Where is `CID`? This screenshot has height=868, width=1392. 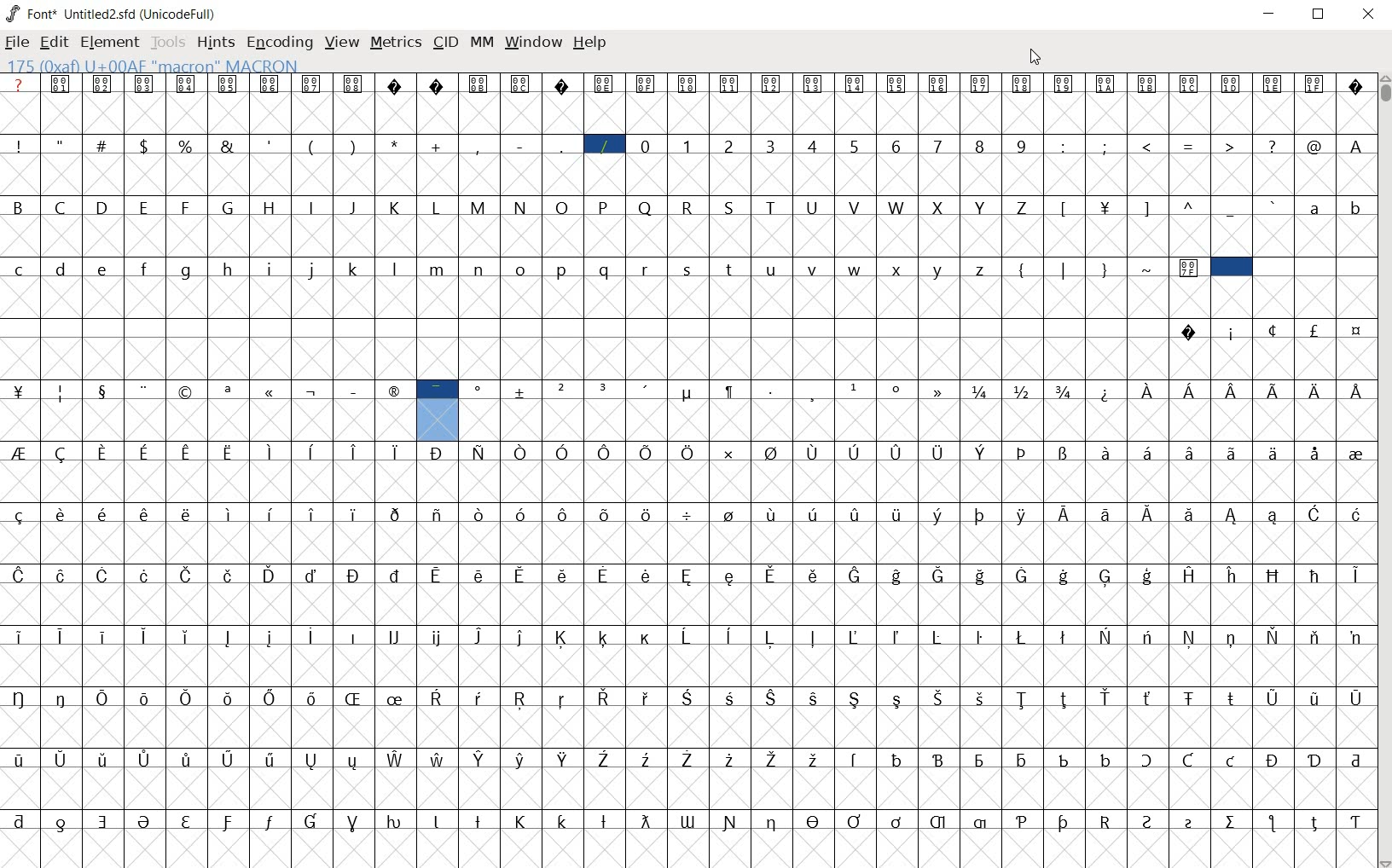 CID is located at coordinates (445, 45).